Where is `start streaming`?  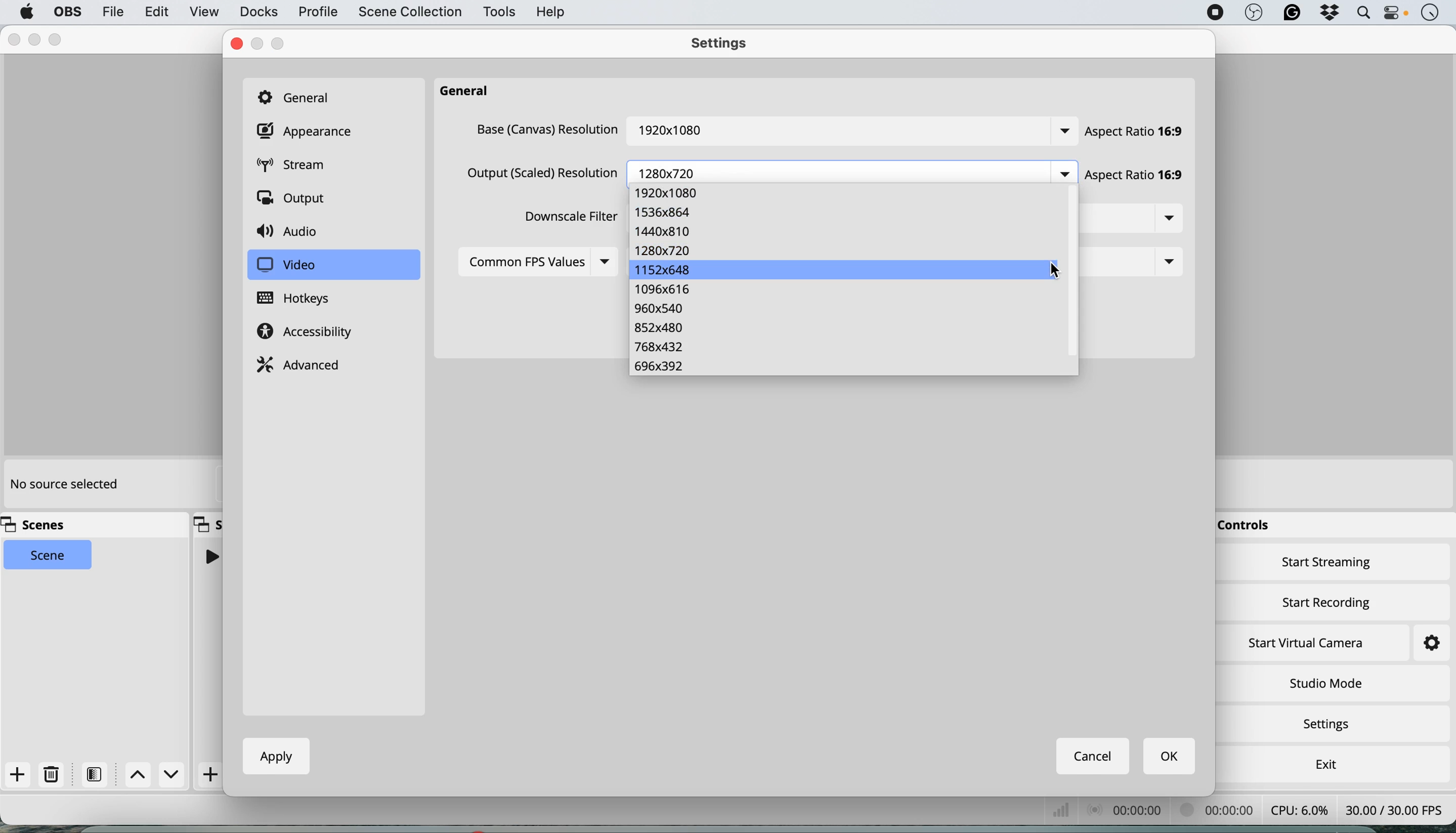 start streaming is located at coordinates (1327, 565).